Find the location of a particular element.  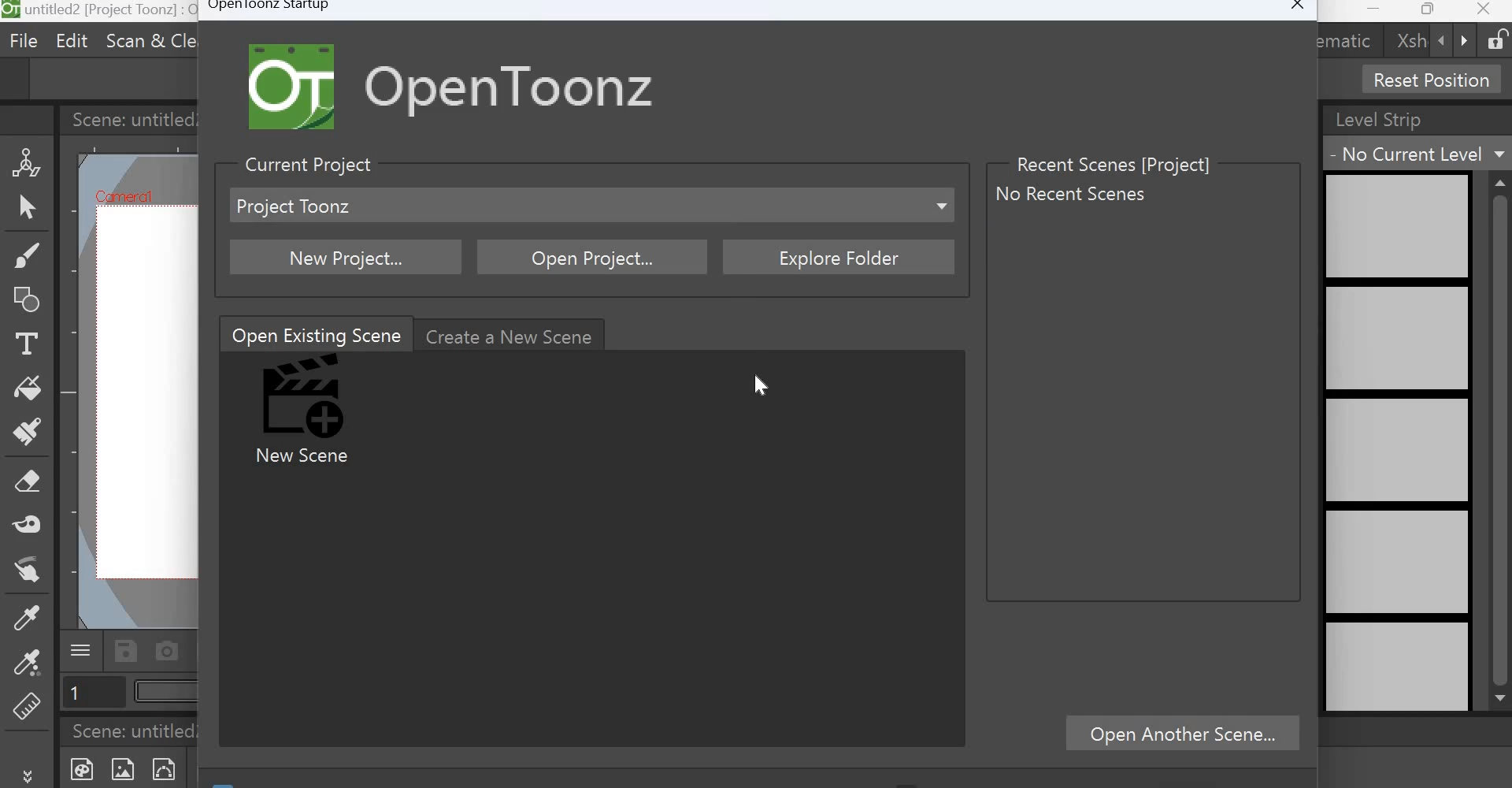

Open Existing Scene is located at coordinates (315, 333).